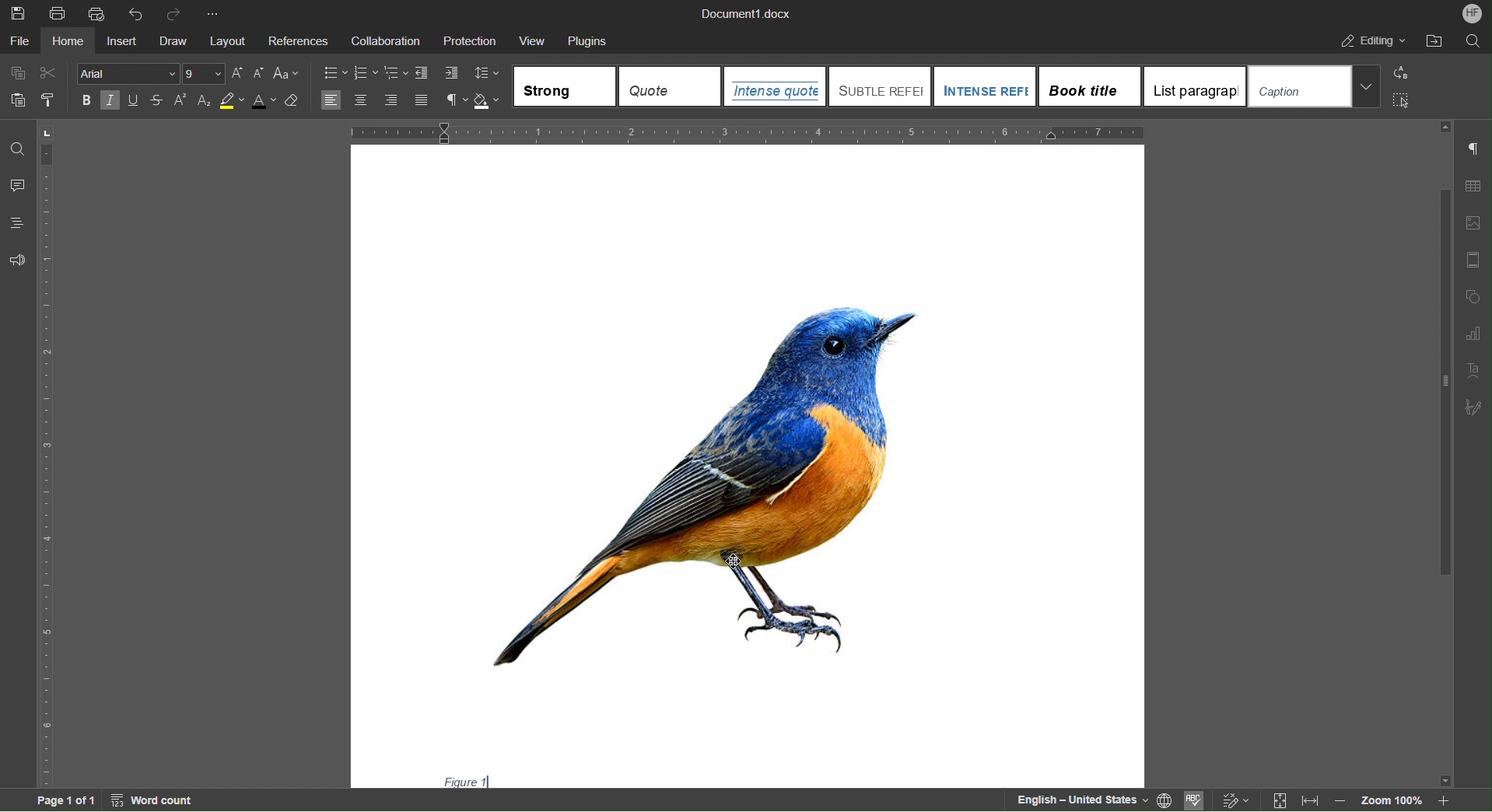 This screenshot has height=812, width=1492. Describe the element at coordinates (180, 100) in the screenshot. I see `Superscript` at that location.